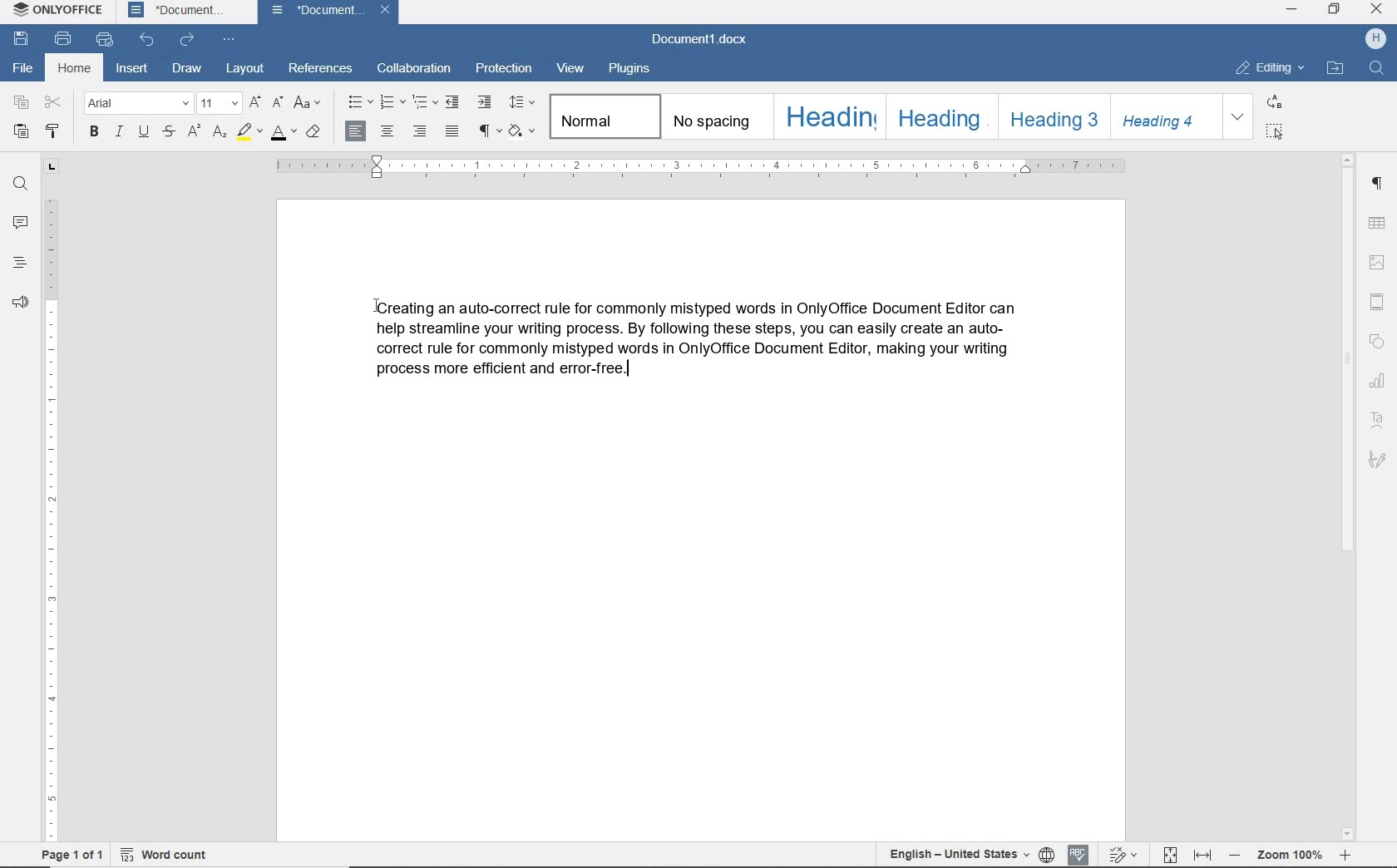 The height and width of the screenshot is (868, 1397). What do you see at coordinates (1047, 854) in the screenshot?
I see `set document language` at bounding box center [1047, 854].